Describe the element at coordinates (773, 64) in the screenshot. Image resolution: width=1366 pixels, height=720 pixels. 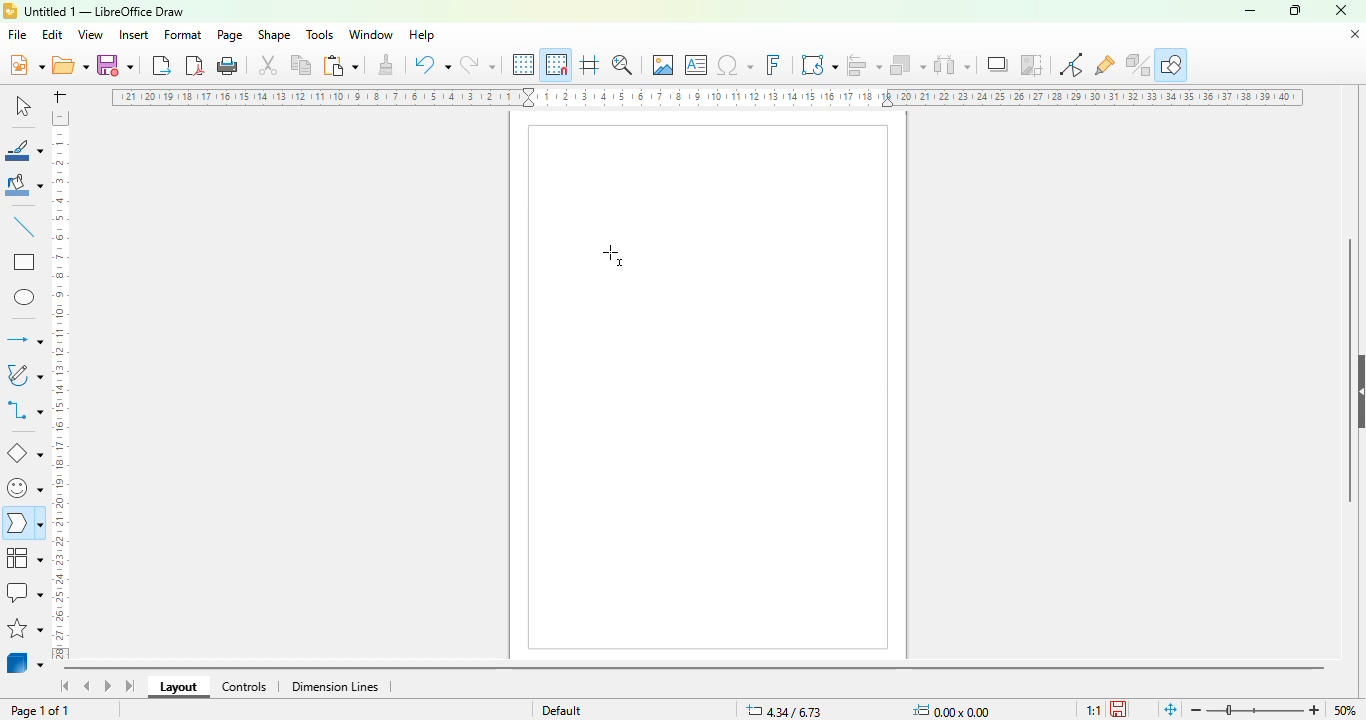
I see `insert fontwork text` at that location.